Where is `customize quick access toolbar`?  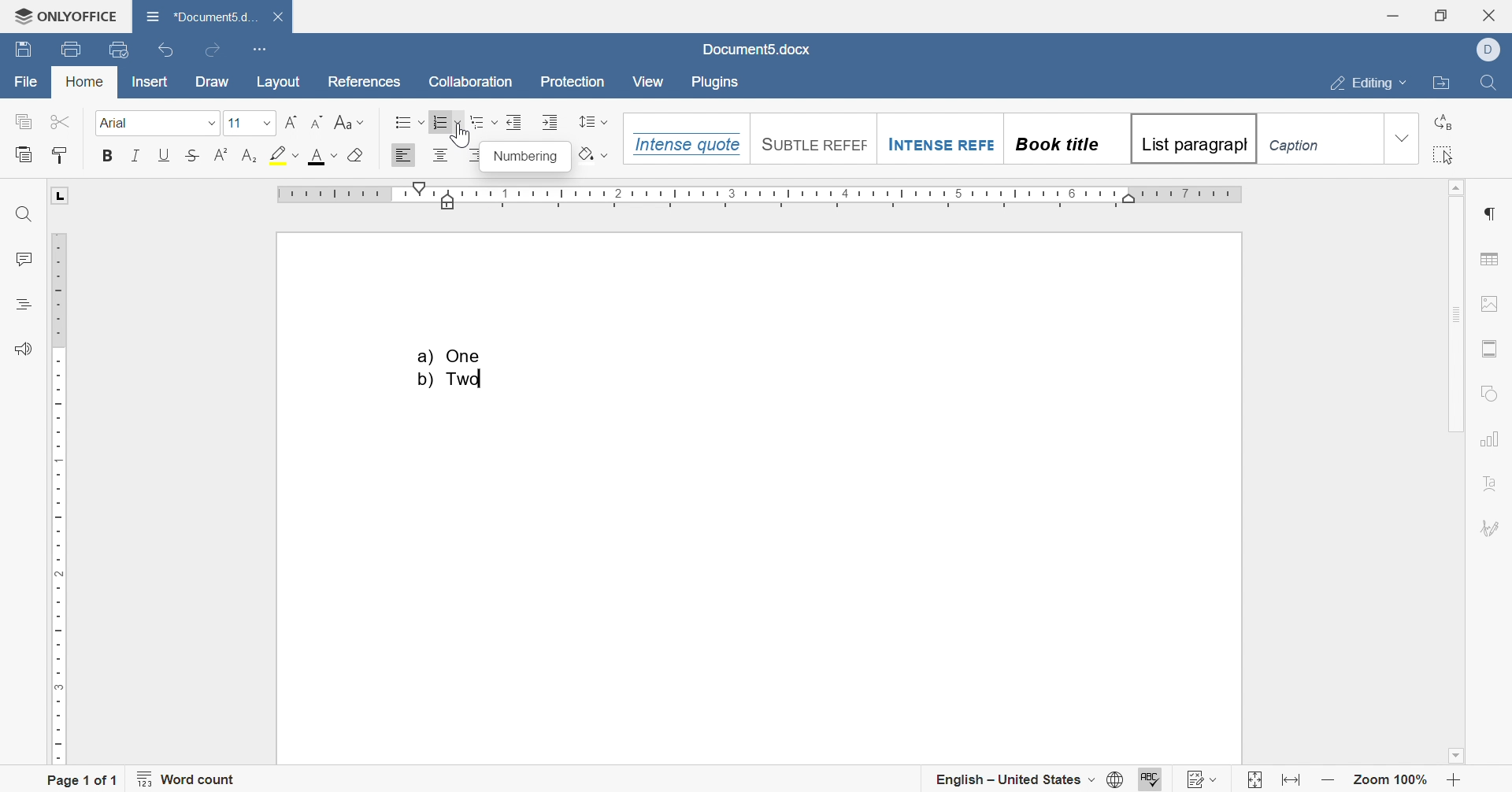 customize quick access toolbar is located at coordinates (261, 49).